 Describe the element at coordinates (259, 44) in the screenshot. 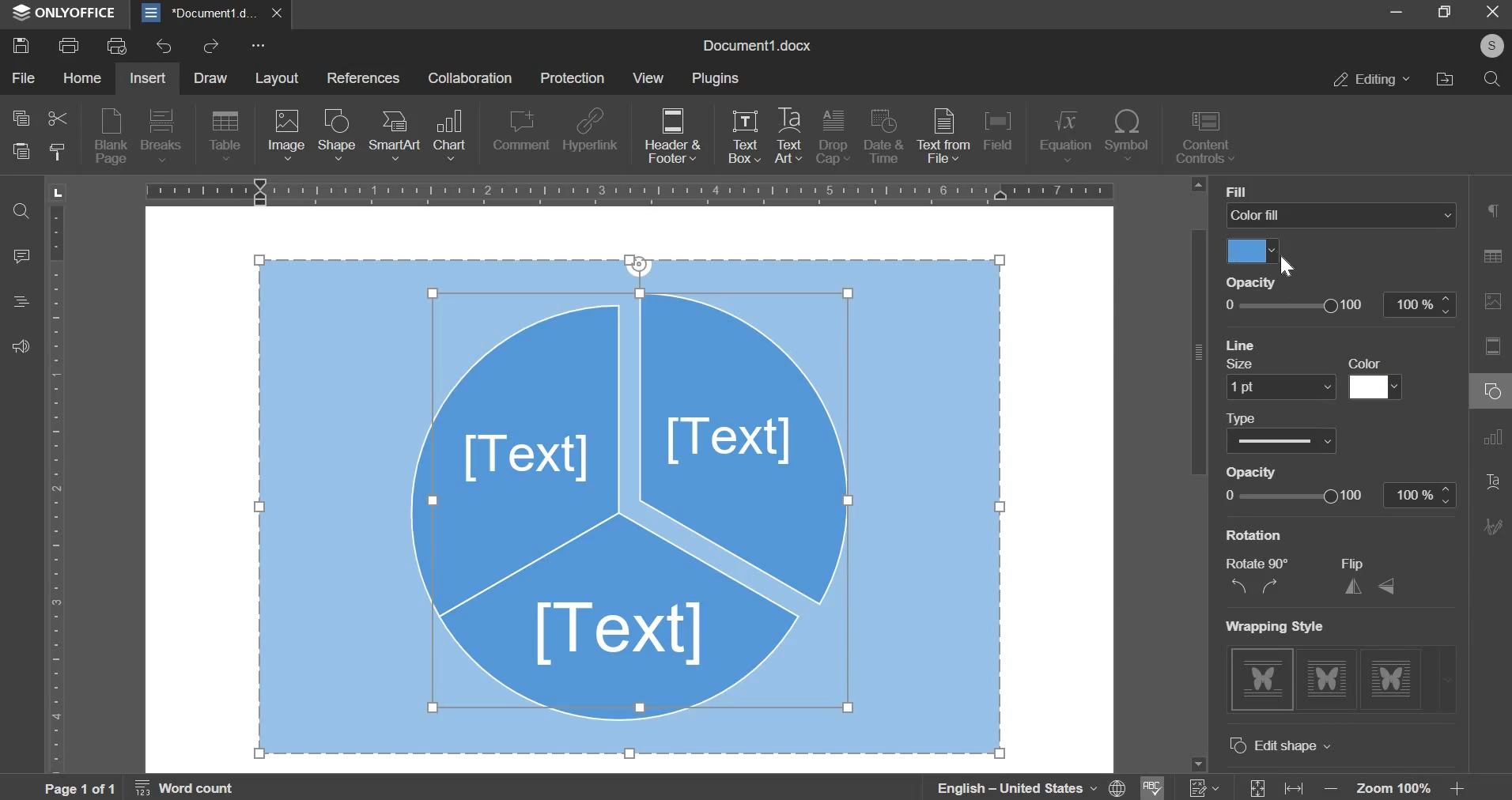

I see `more` at that location.